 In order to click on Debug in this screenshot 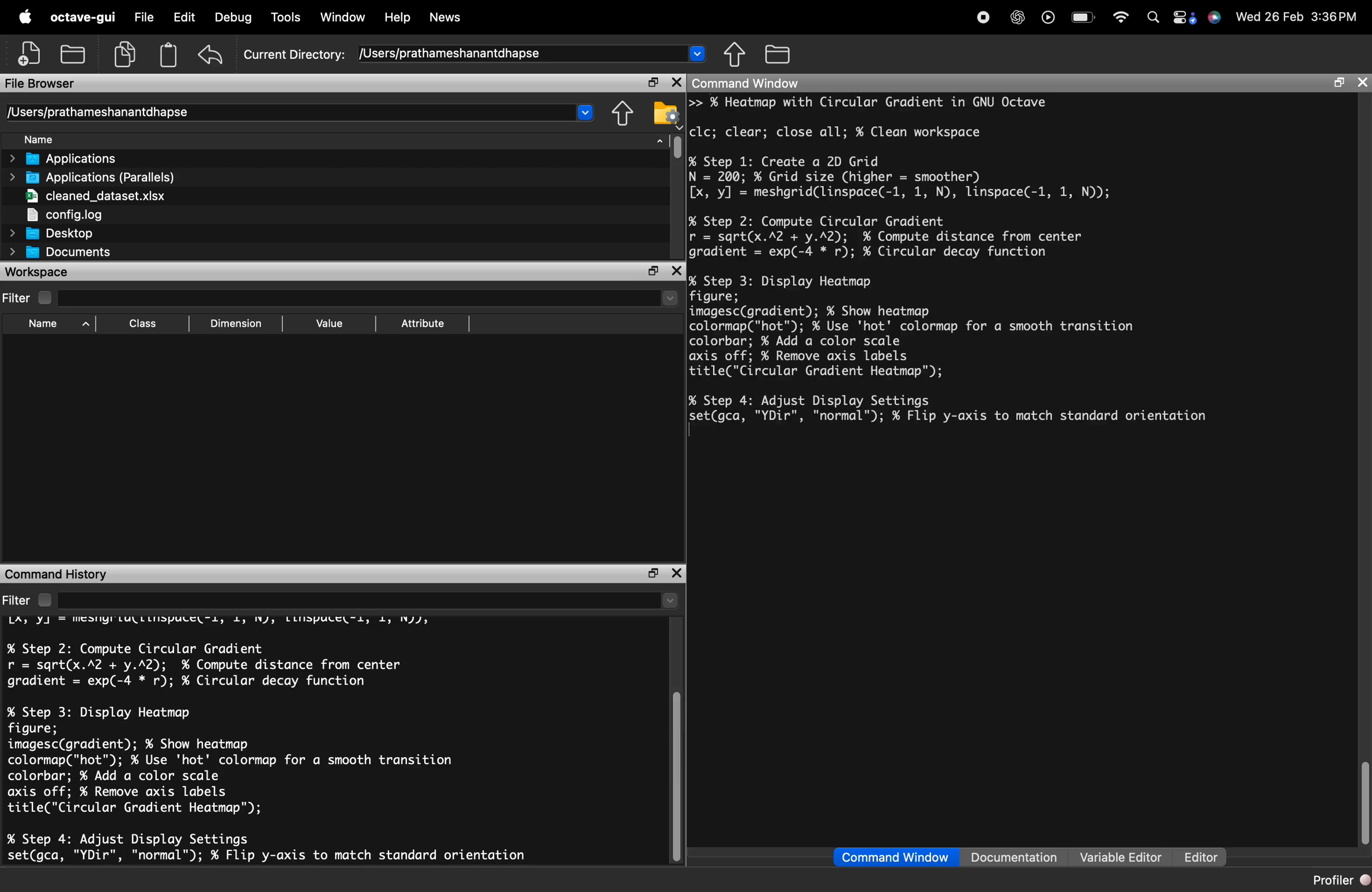, I will do `click(232, 17)`.